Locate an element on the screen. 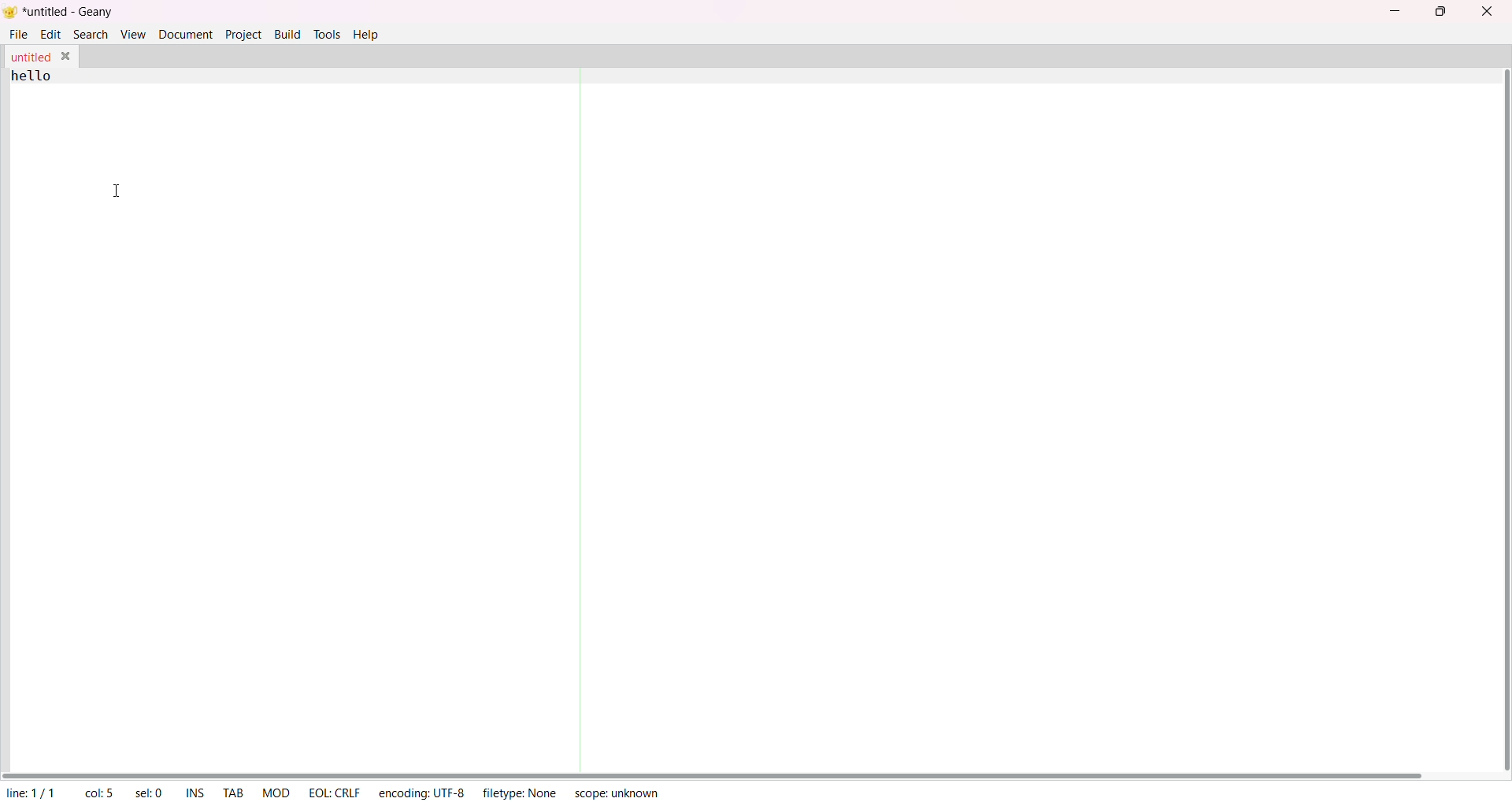  MOD is located at coordinates (278, 792).